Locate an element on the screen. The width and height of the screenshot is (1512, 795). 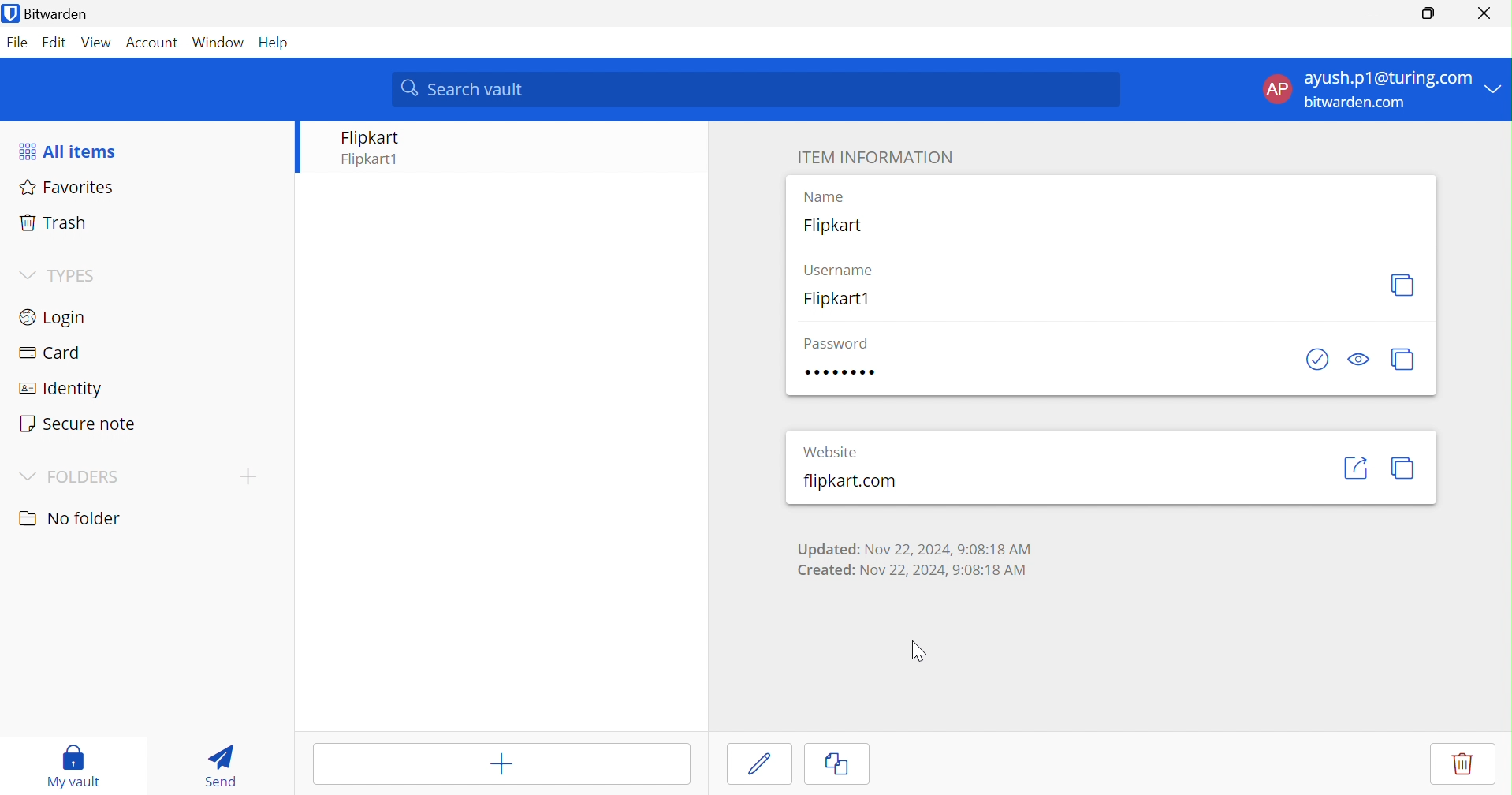
ayush.p1@gmail.com is located at coordinates (1386, 80).